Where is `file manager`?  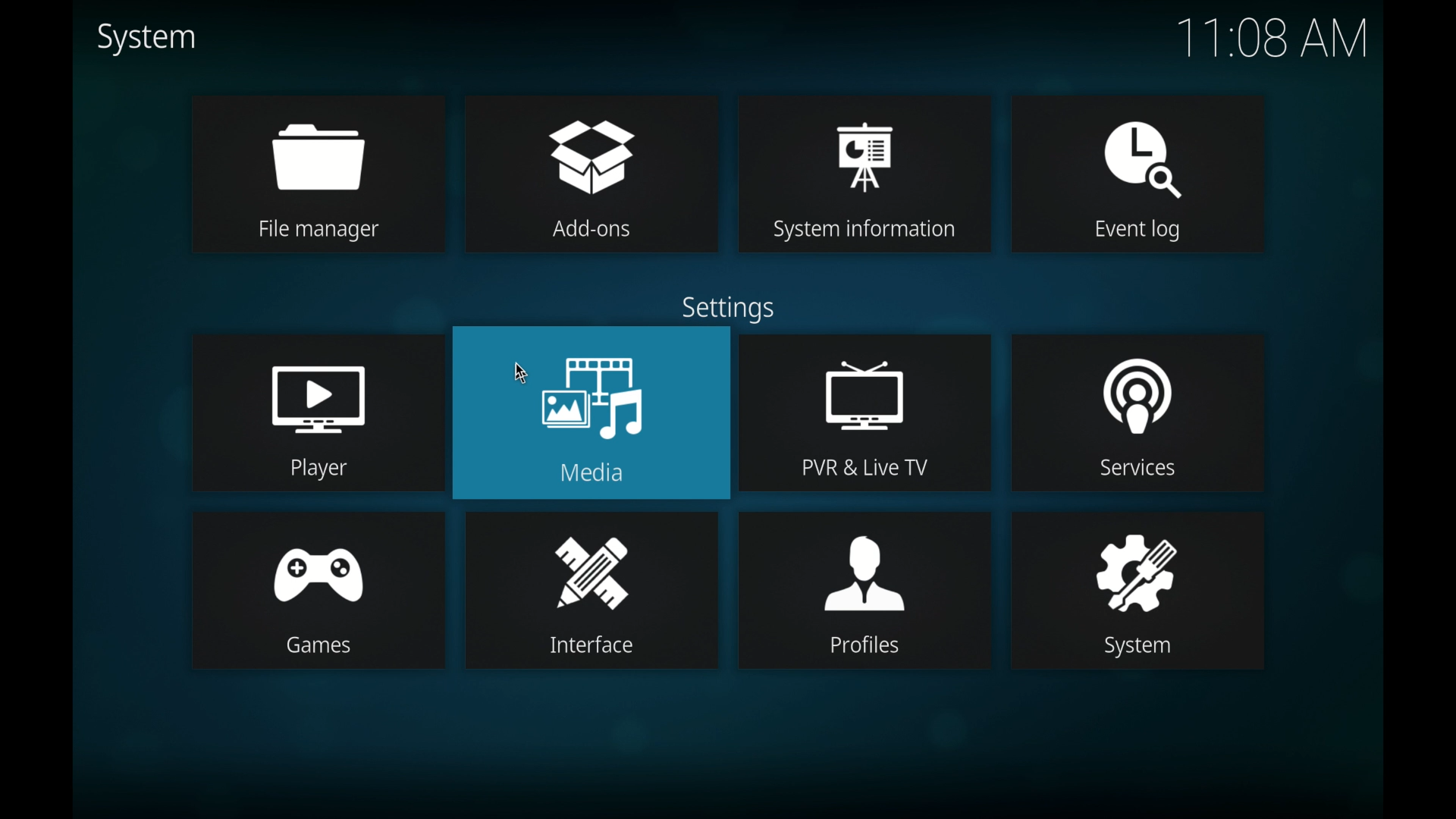 file manager is located at coordinates (315, 172).